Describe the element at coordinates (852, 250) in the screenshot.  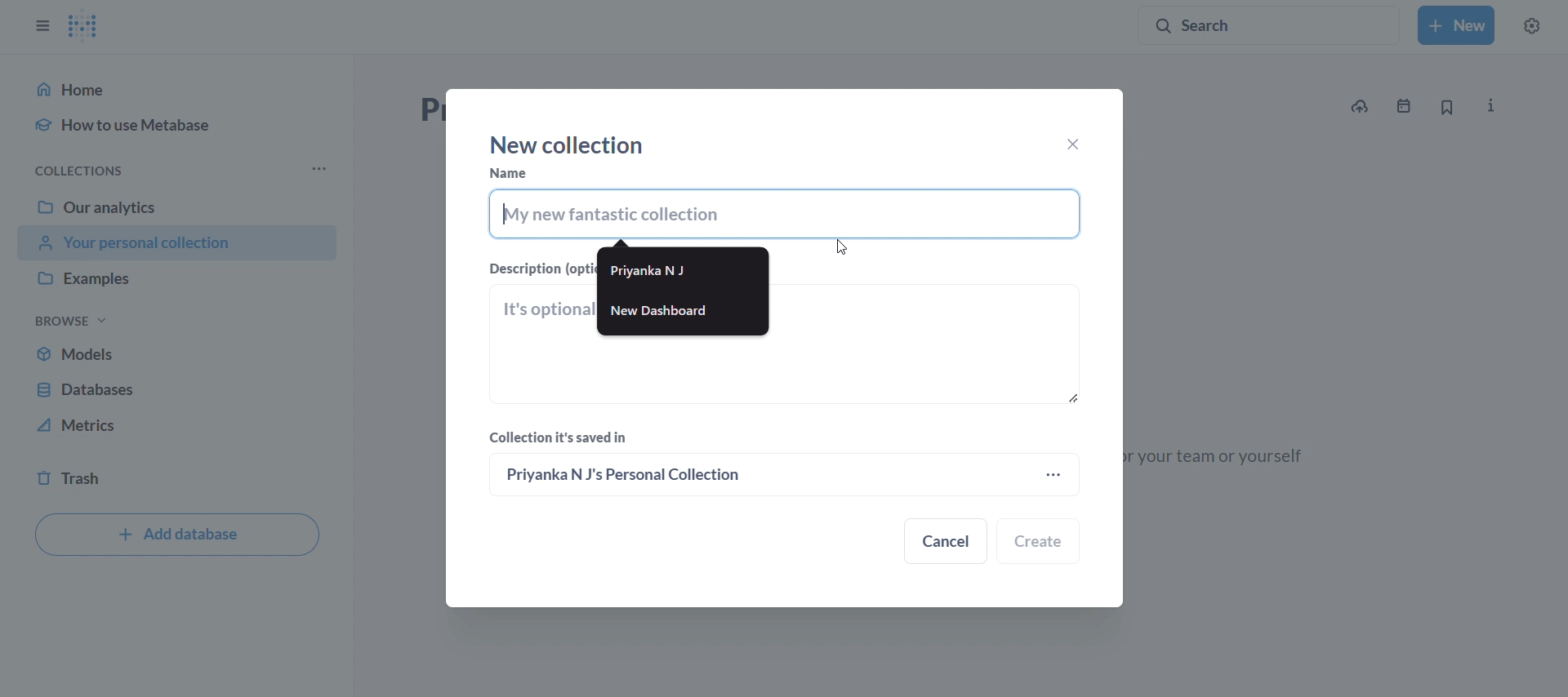
I see `CURSOR` at that location.